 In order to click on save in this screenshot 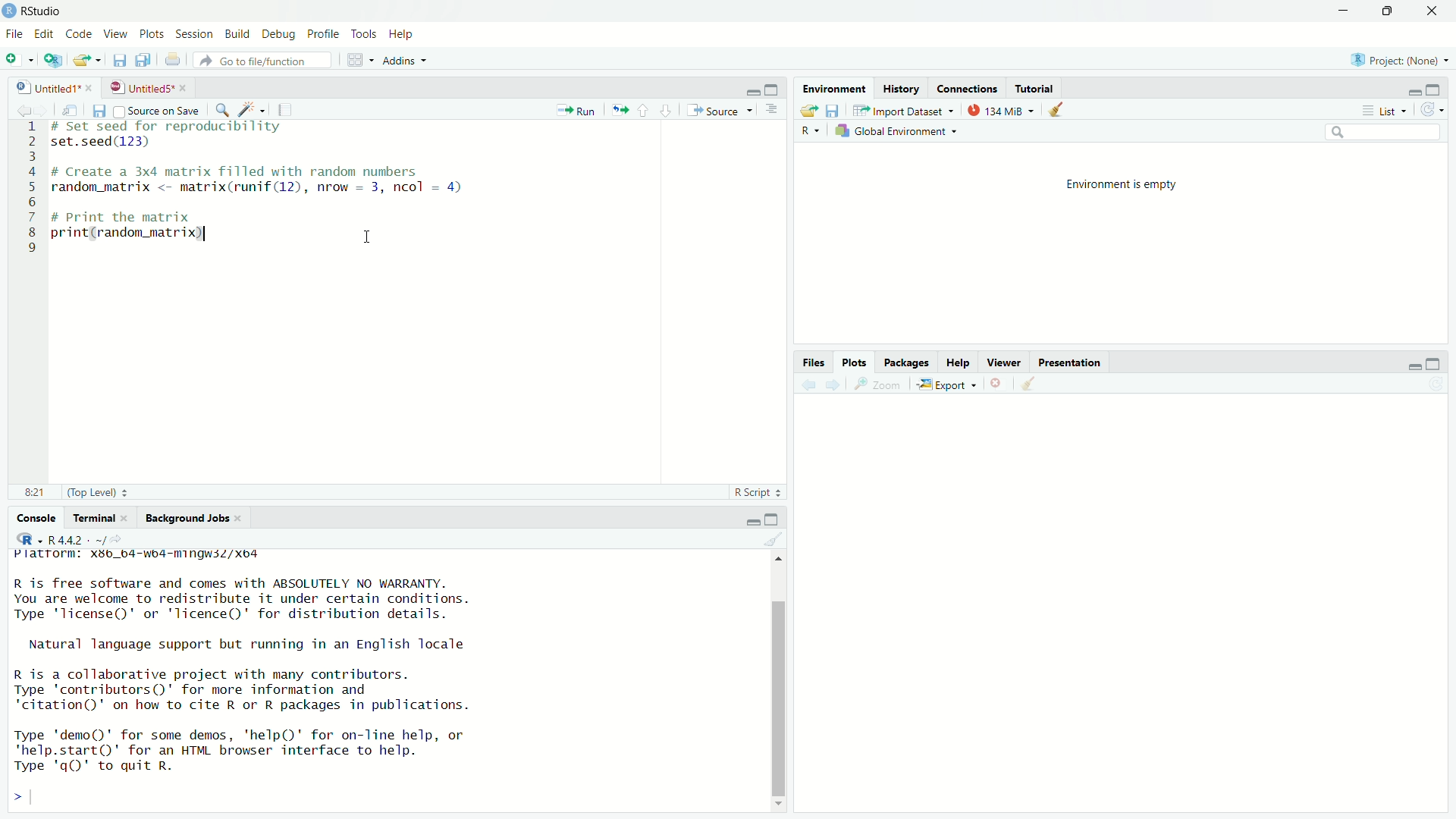, I will do `click(833, 112)`.